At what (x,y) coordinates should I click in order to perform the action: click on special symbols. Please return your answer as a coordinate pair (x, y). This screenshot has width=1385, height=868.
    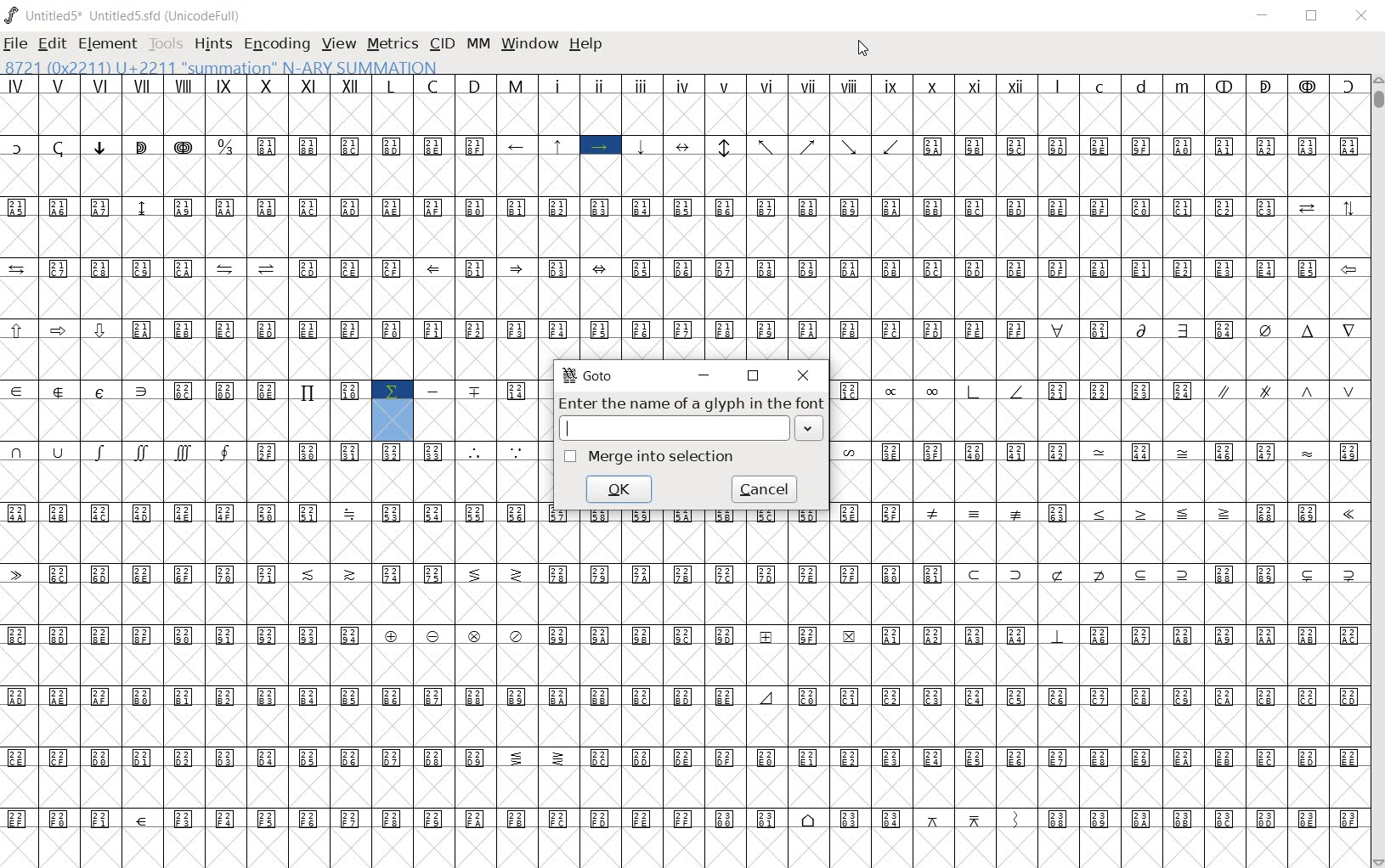
    Looking at the image, I should click on (1098, 452).